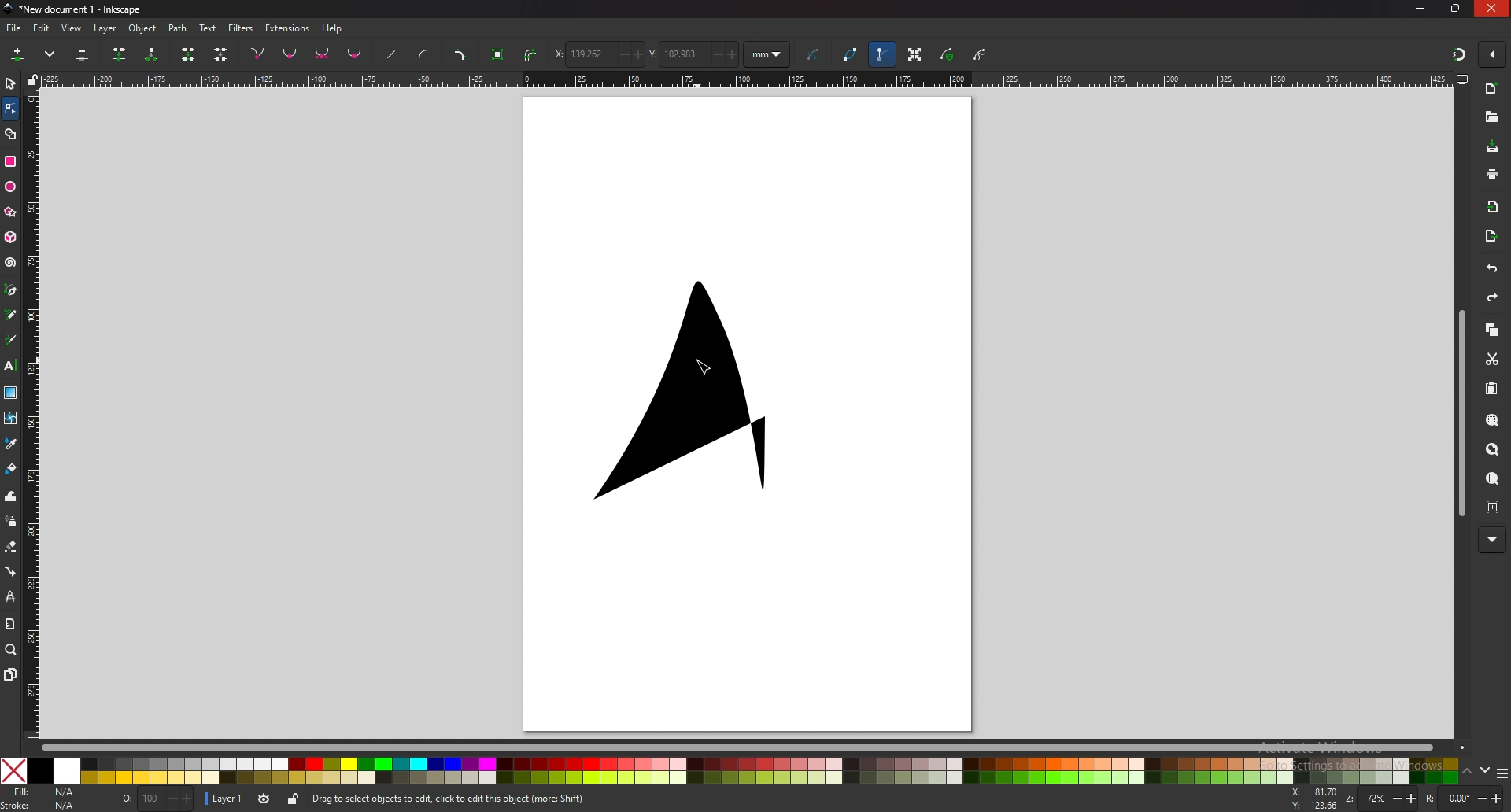 This screenshot has width=1511, height=812. I want to click on down, so click(1486, 771).